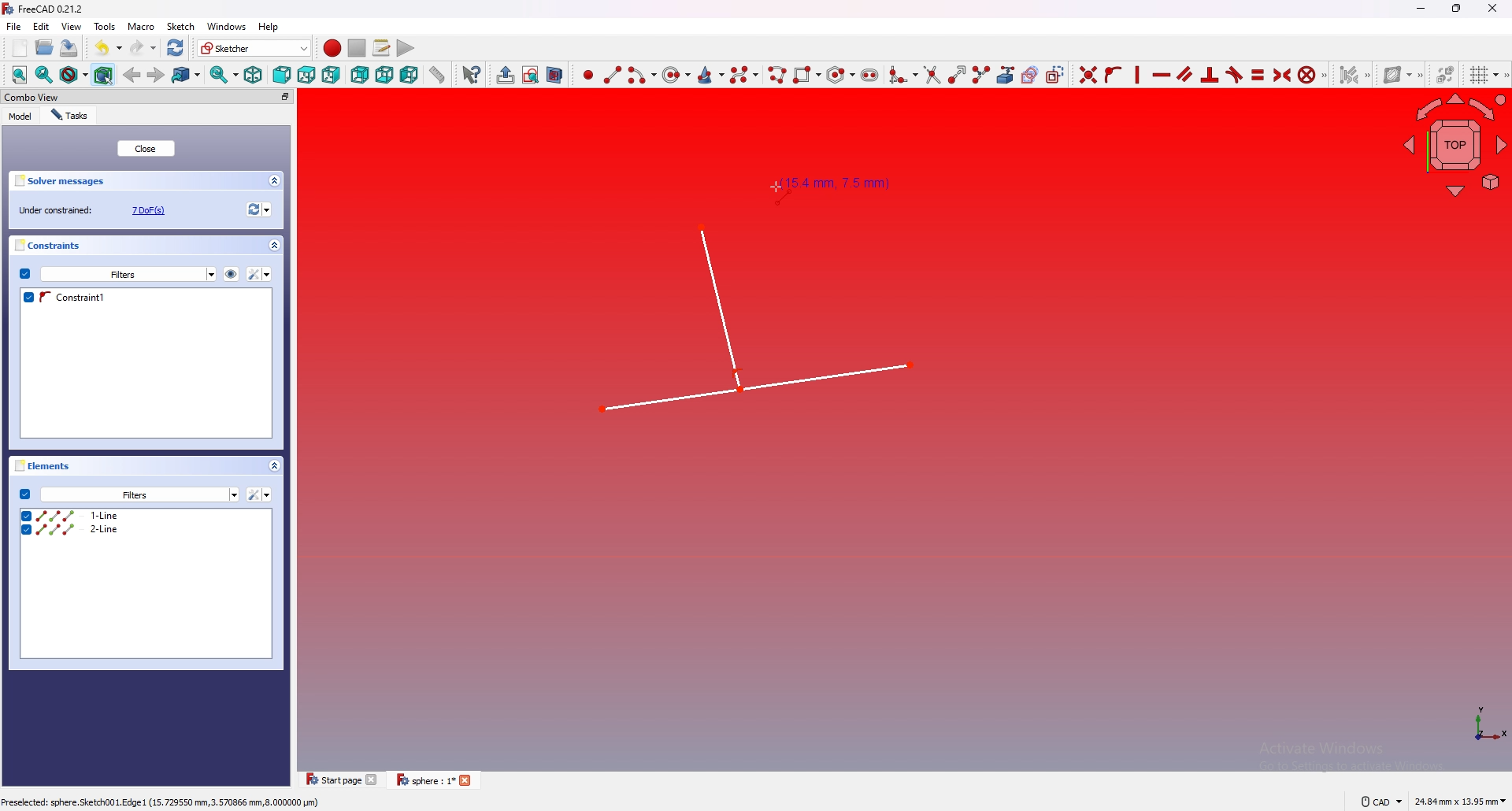 Image resolution: width=1512 pixels, height=811 pixels. I want to click on CAD, so click(1378, 802).